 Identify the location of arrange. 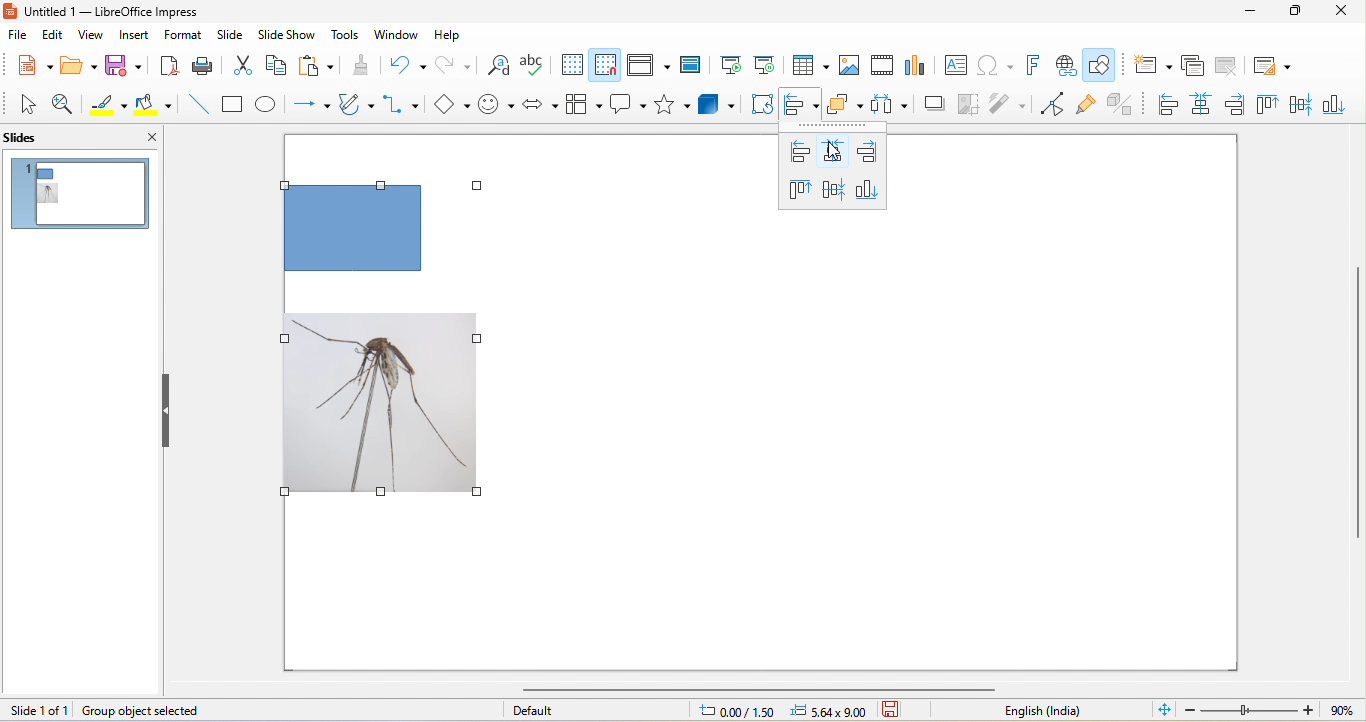
(847, 106).